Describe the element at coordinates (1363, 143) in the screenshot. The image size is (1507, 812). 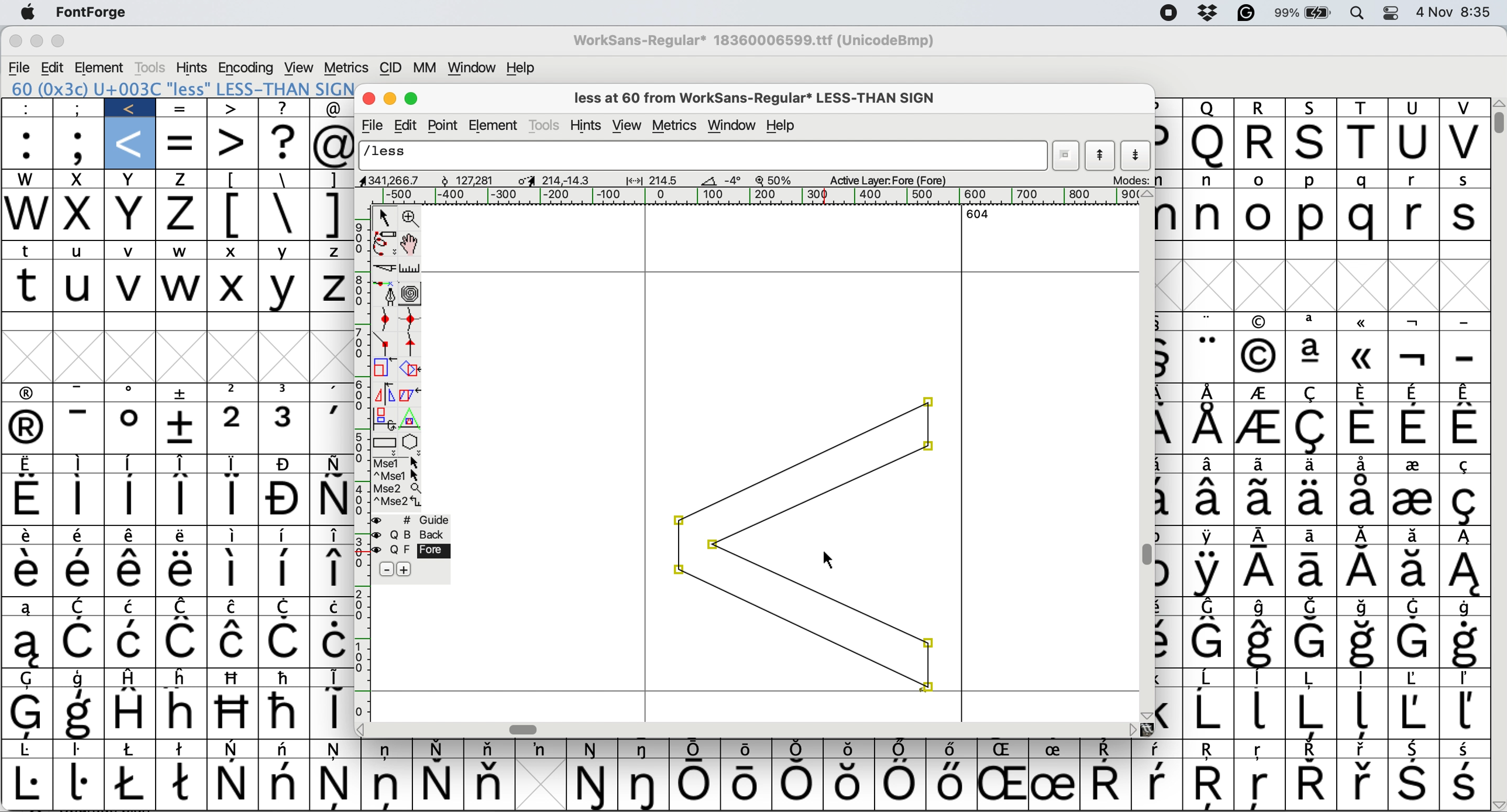
I see `t` at that location.